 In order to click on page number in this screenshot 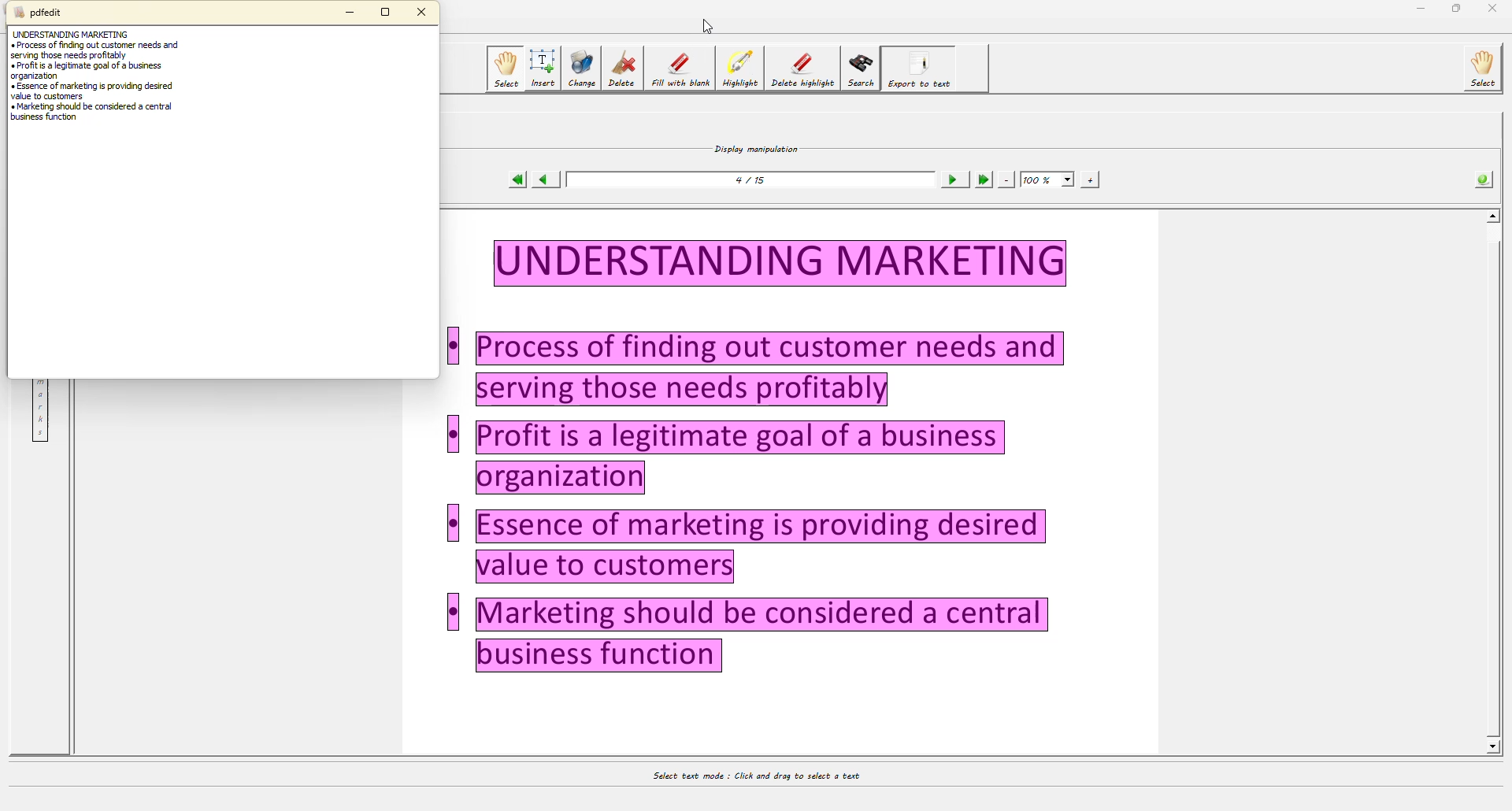, I will do `click(754, 180)`.